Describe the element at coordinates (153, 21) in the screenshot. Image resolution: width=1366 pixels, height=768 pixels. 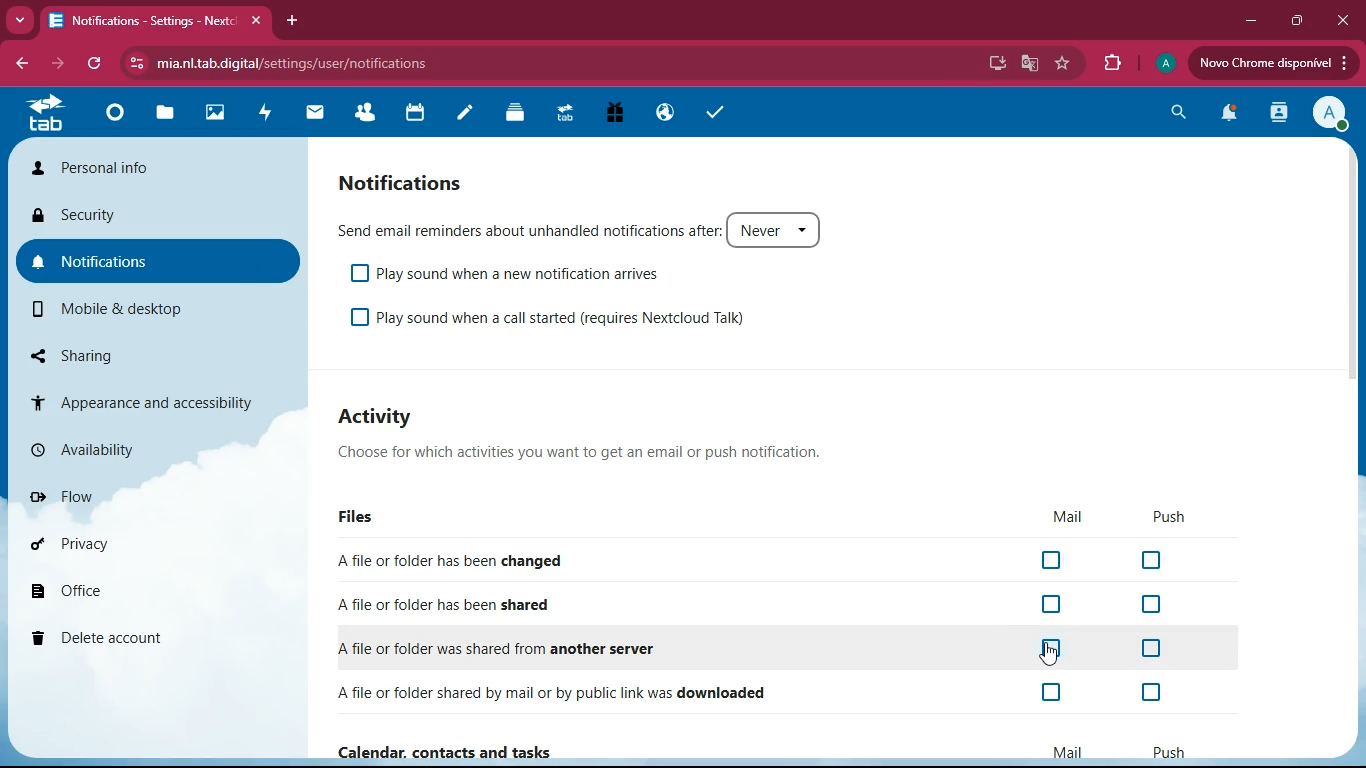
I see `tab` at that location.